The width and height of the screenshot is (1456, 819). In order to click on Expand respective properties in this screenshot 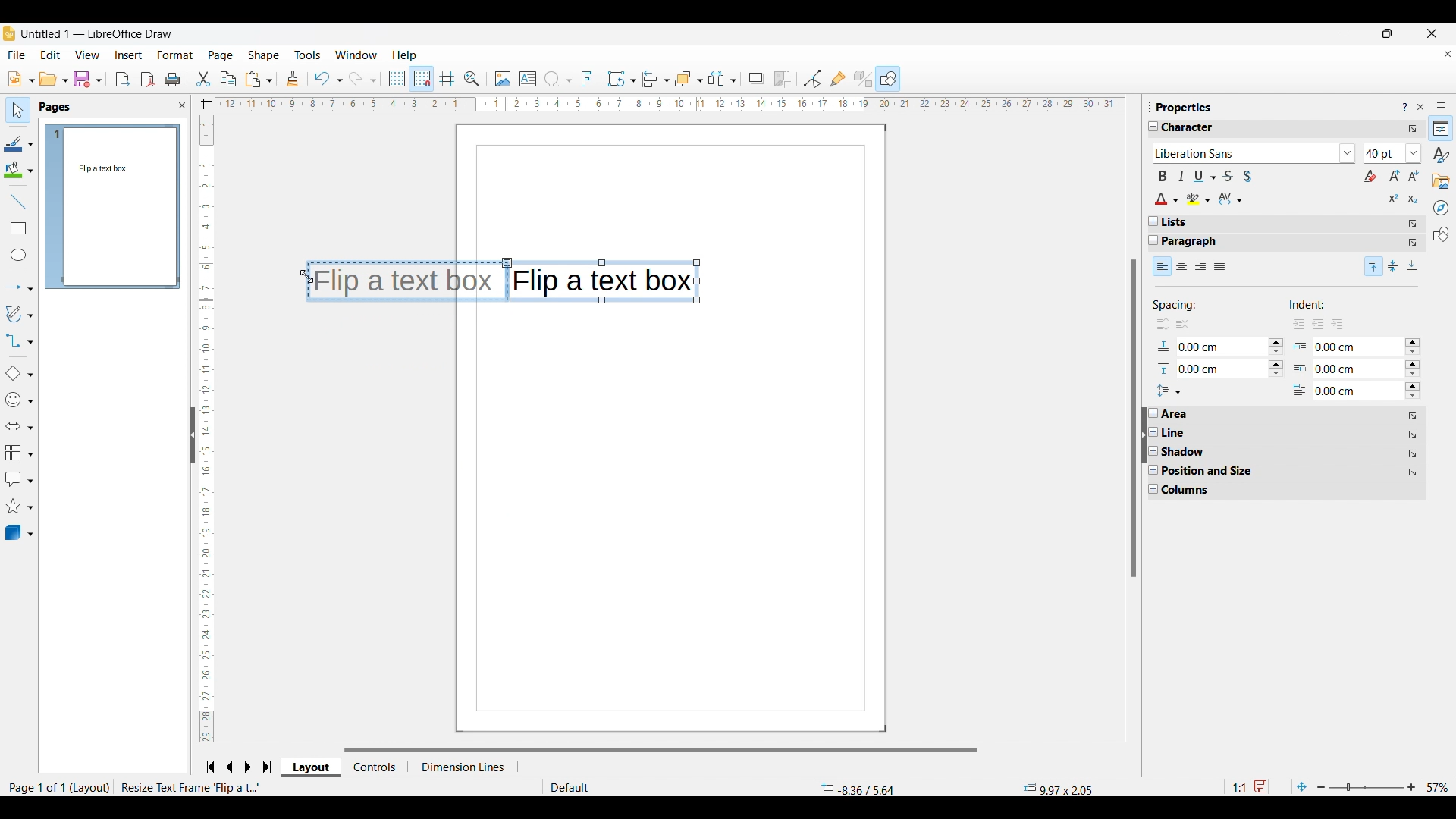, I will do `click(1153, 451)`.